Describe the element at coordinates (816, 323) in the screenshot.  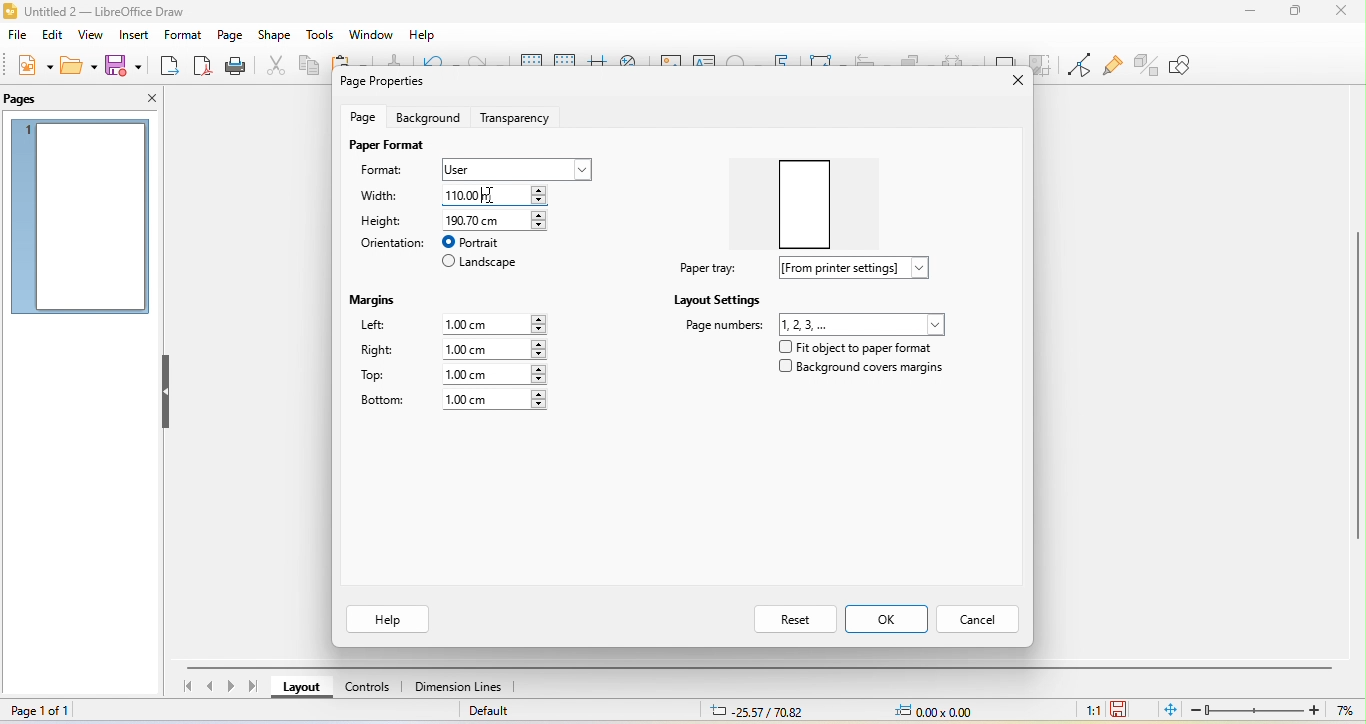
I see `page number` at that location.